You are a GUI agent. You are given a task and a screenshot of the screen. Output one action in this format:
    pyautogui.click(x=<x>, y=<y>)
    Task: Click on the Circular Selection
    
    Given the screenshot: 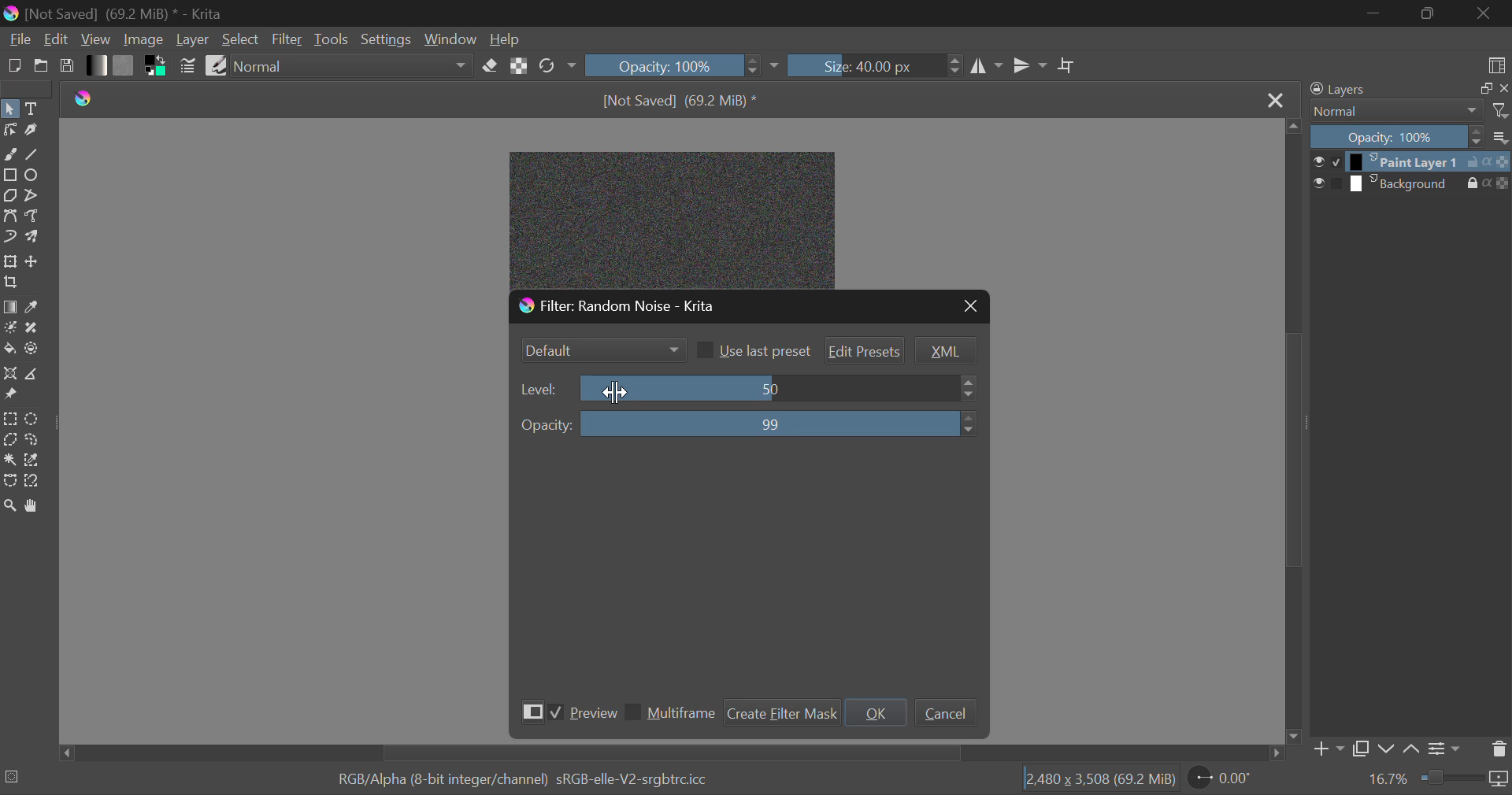 What is the action you would take?
    pyautogui.click(x=35, y=419)
    